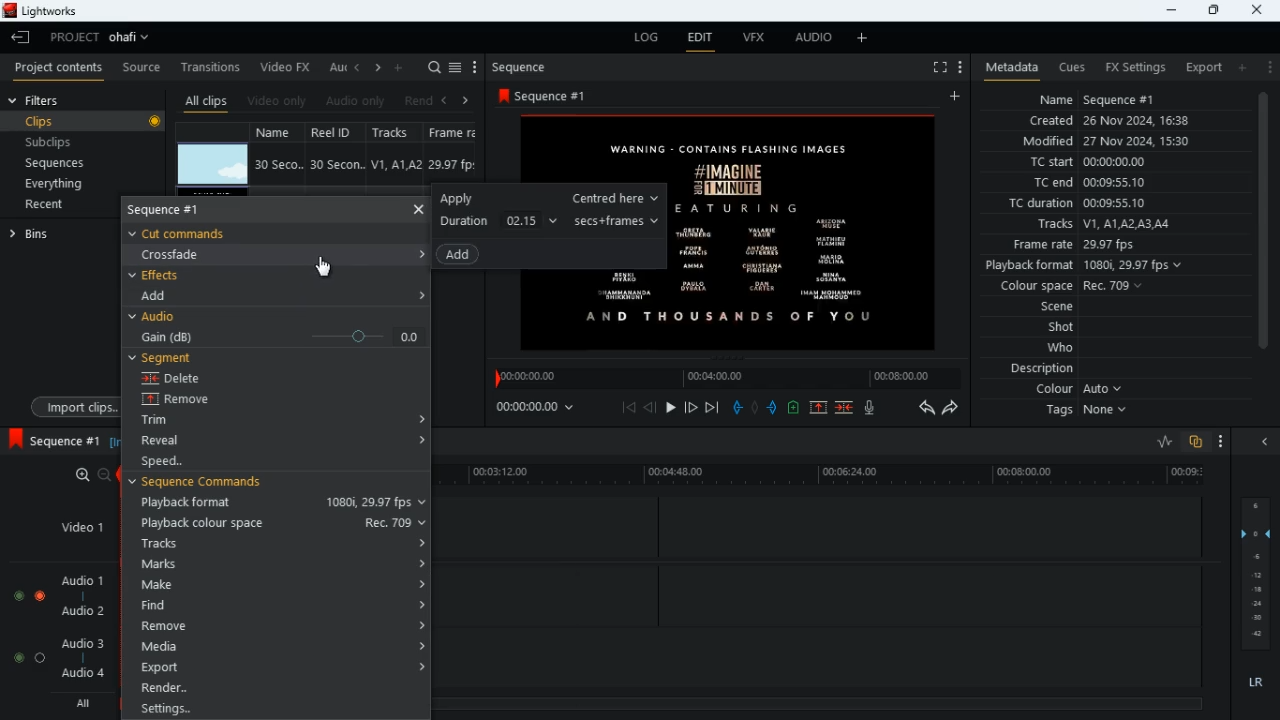  Describe the element at coordinates (828, 476) in the screenshot. I see `timeline` at that location.